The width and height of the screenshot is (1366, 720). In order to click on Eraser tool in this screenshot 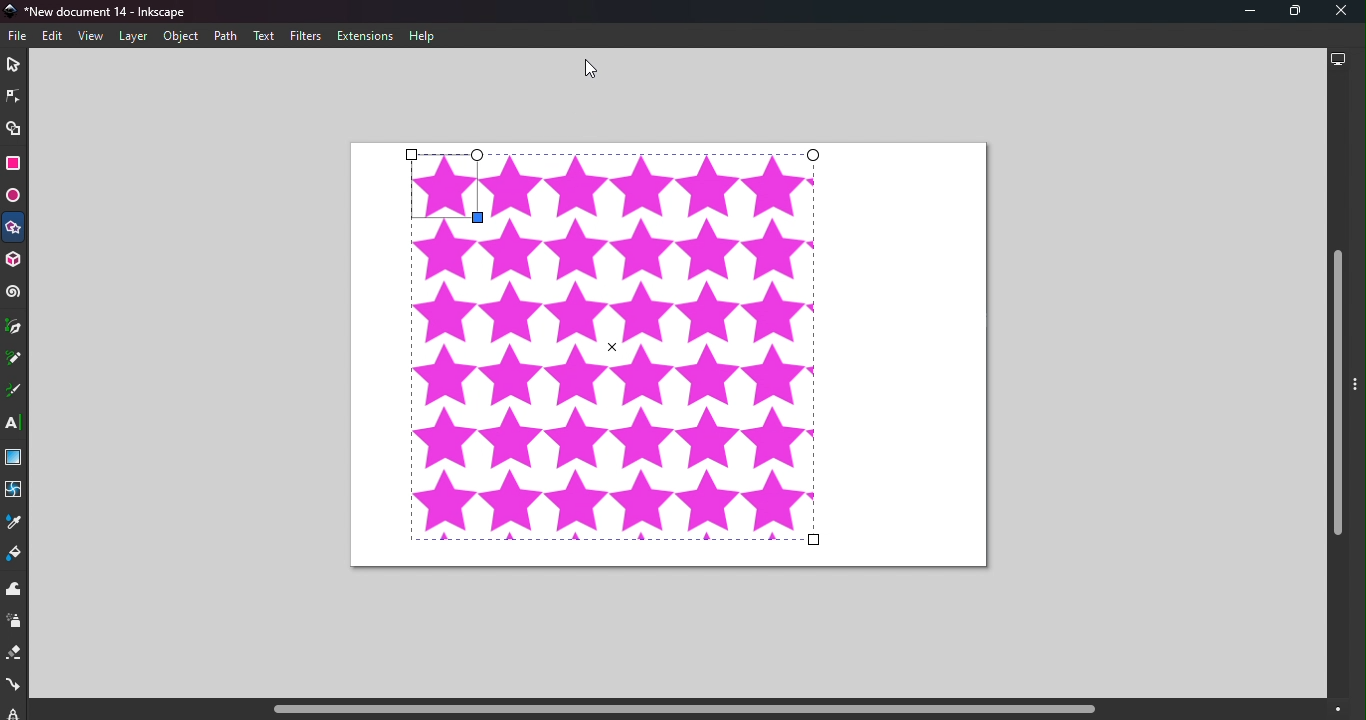, I will do `click(13, 657)`.